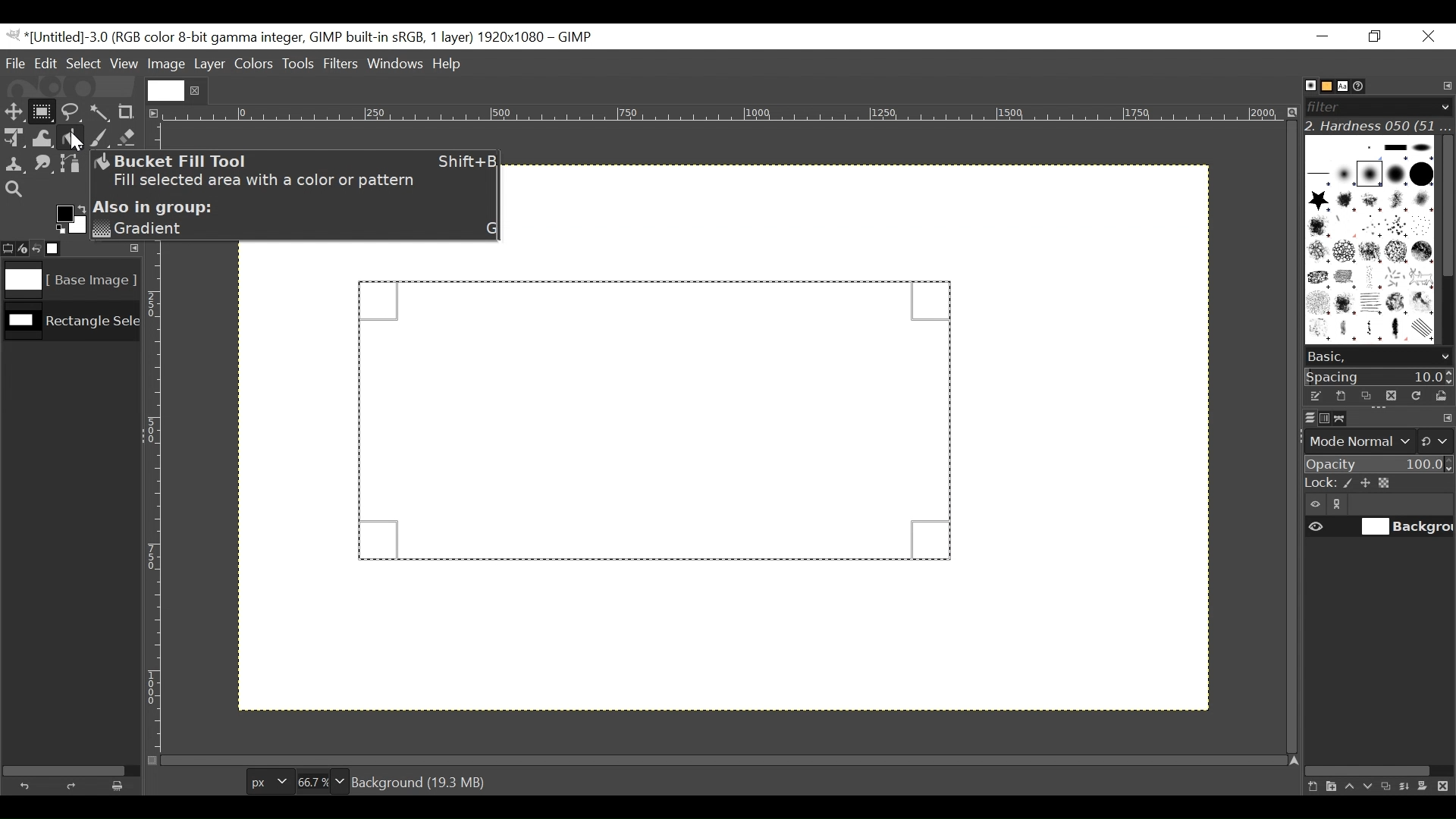  What do you see at coordinates (1366, 396) in the screenshot?
I see `Duplicate brush` at bounding box center [1366, 396].